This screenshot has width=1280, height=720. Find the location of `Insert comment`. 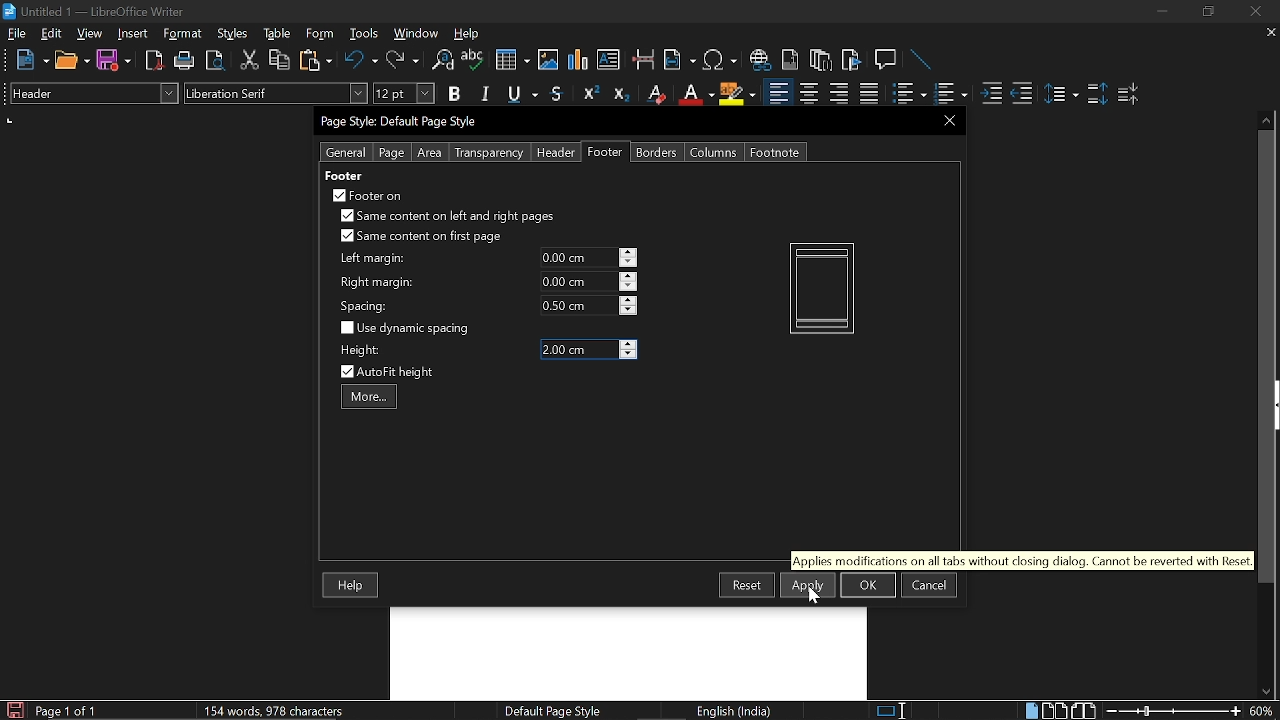

Insert comment is located at coordinates (888, 60).